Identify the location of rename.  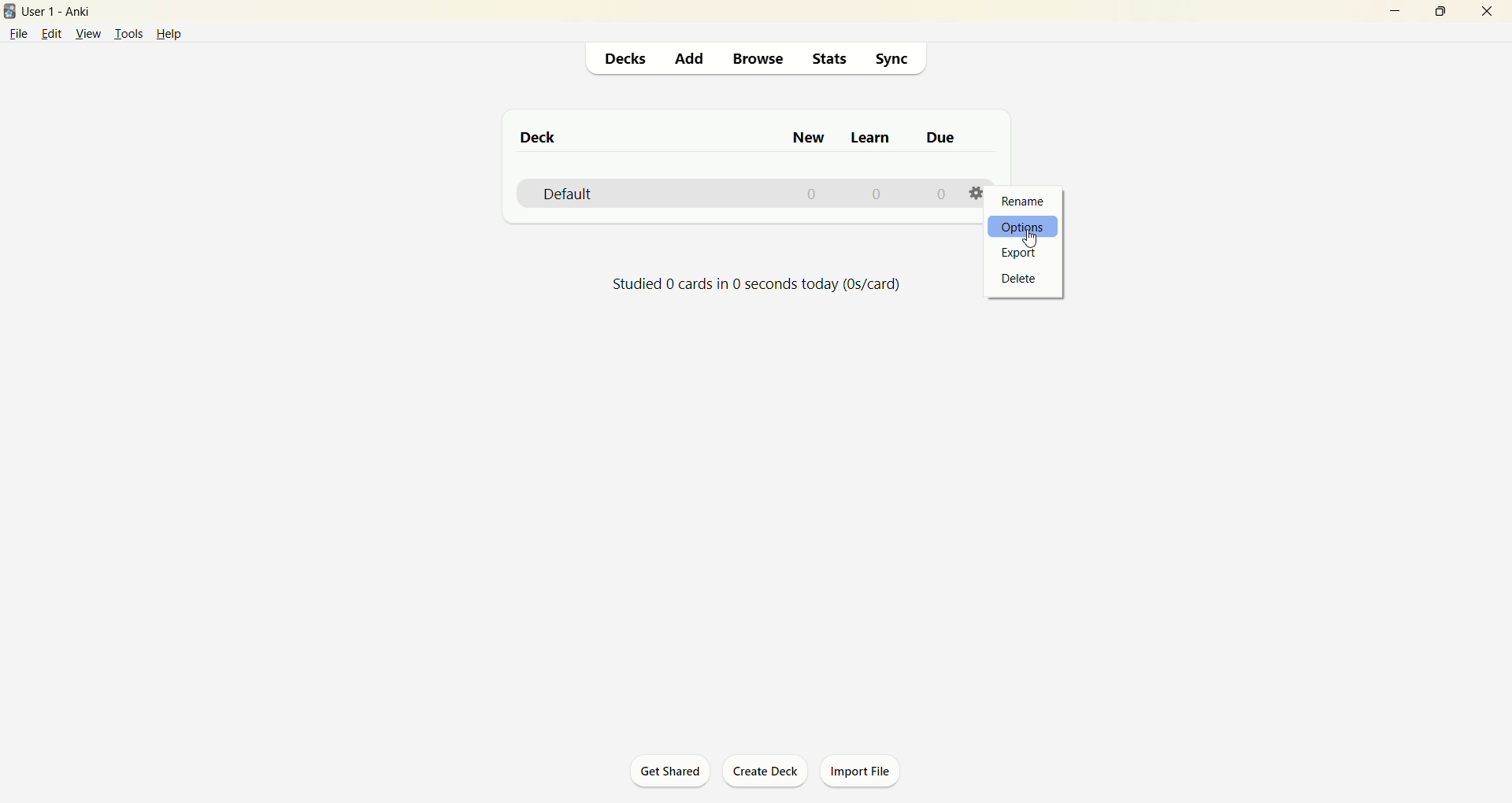
(1027, 201).